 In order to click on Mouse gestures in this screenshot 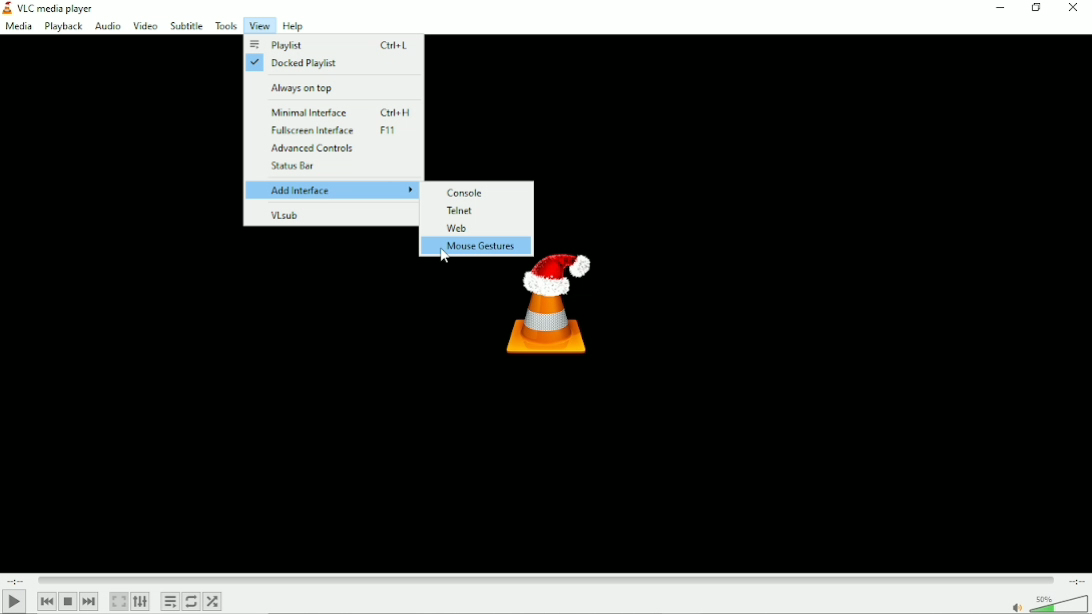, I will do `click(478, 247)`.